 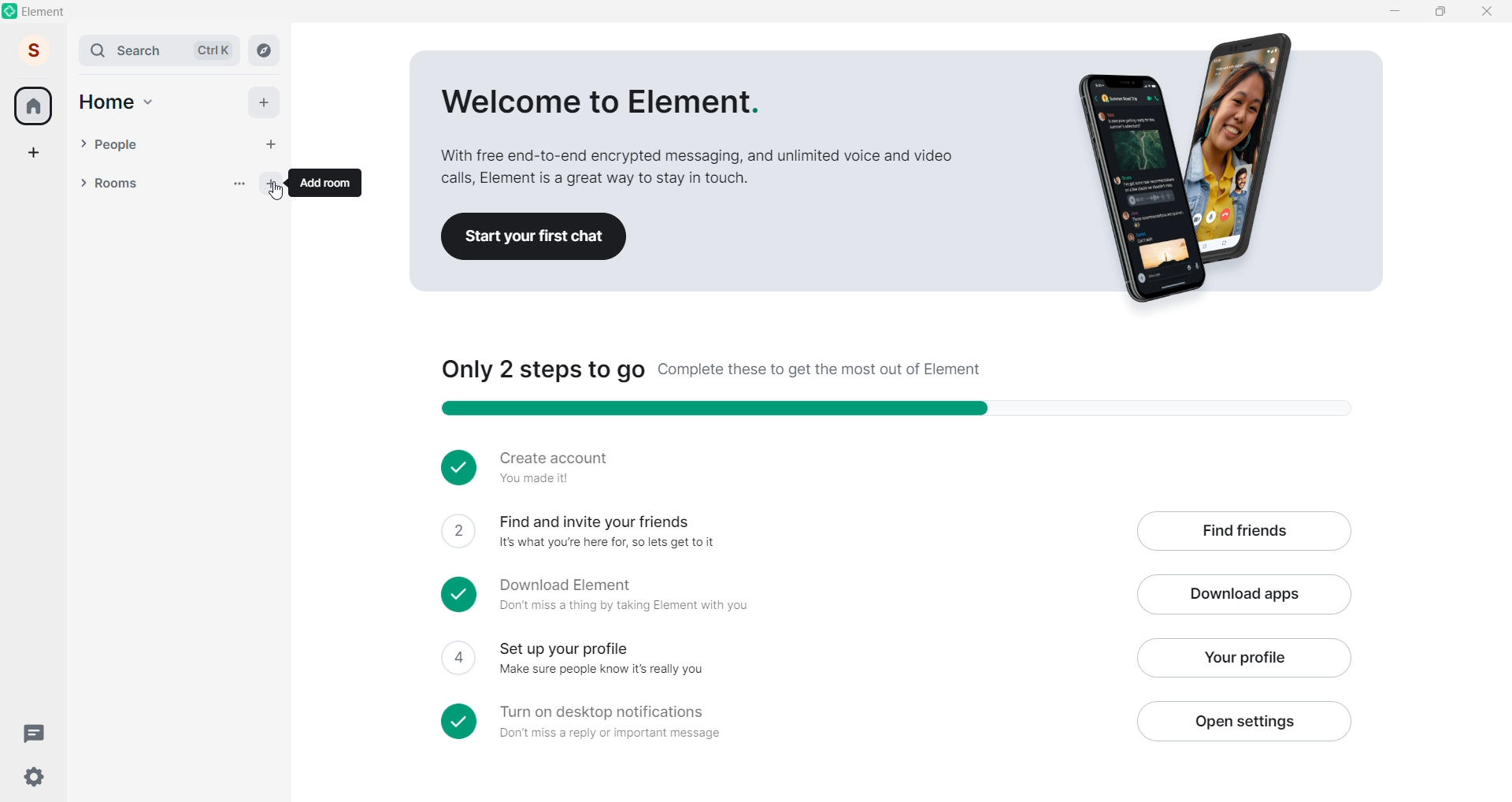 What do you see at coordinates (776, 659) in the screenshot?
I see `4 Set up your profileMake sure people know it's really you` at bounding box center [776, 659].